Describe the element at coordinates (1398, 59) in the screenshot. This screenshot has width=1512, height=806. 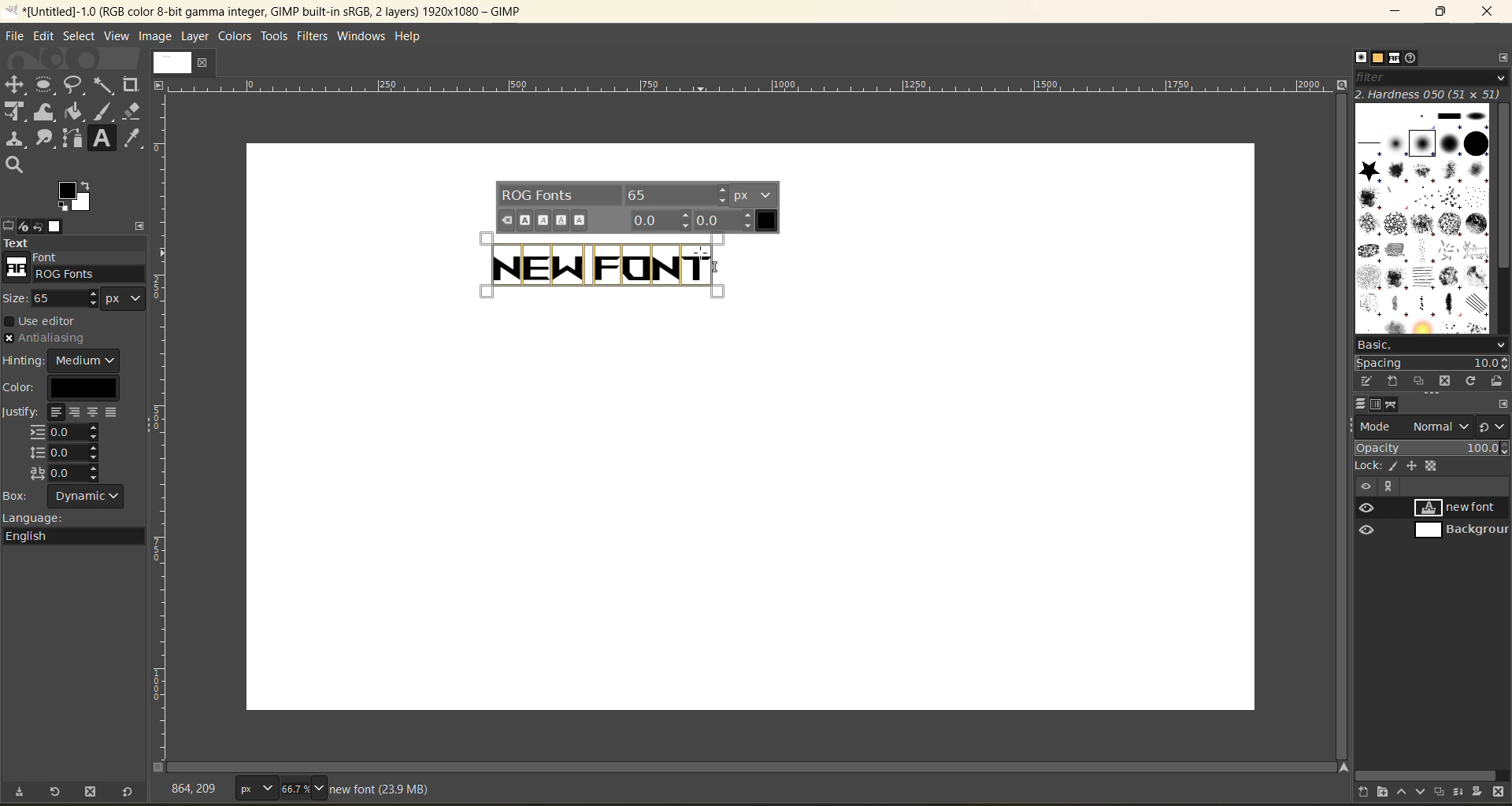
I see `fonts` at that location.